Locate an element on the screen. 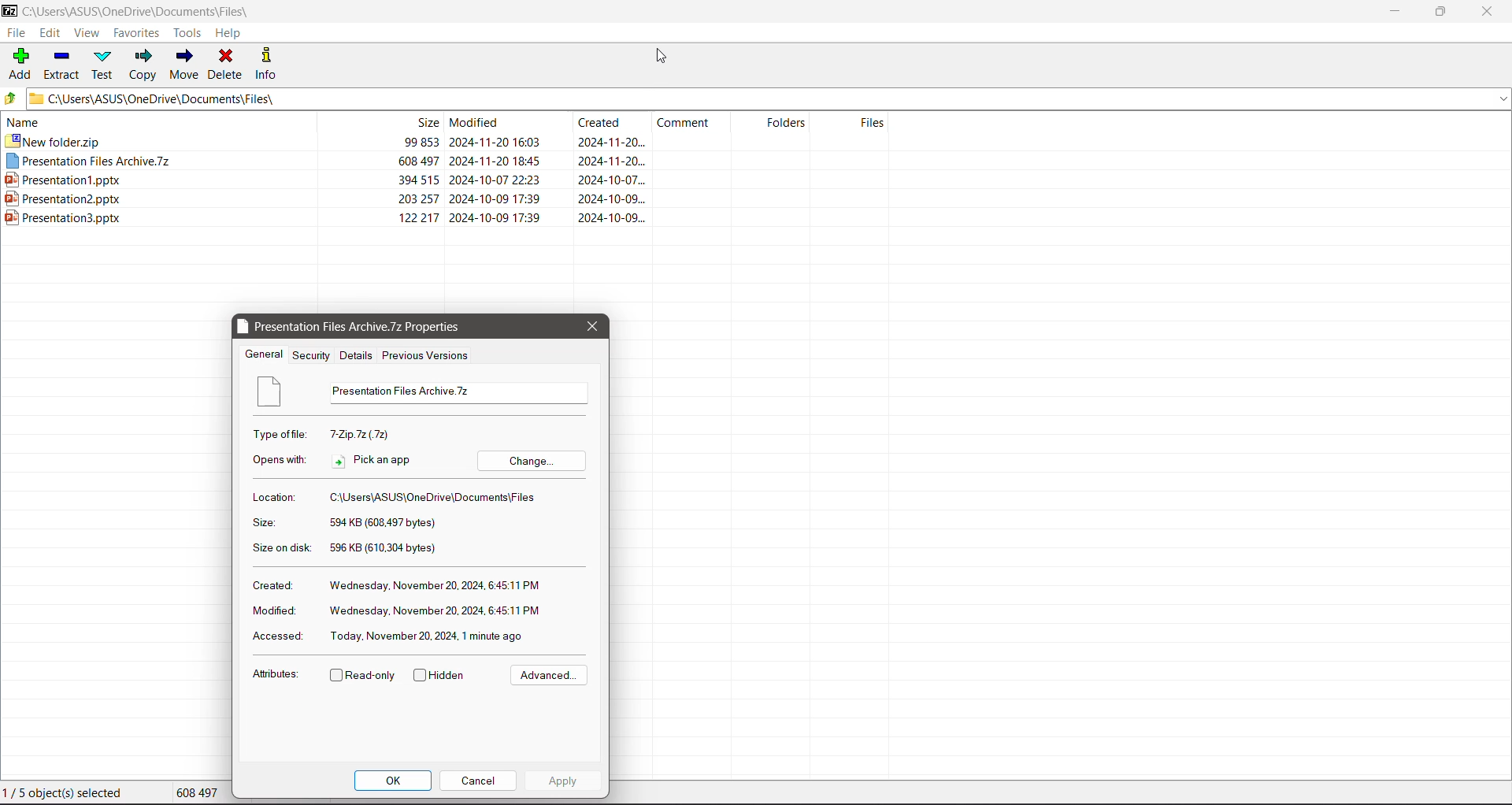  Advanced is located at coordinates (548, 674).